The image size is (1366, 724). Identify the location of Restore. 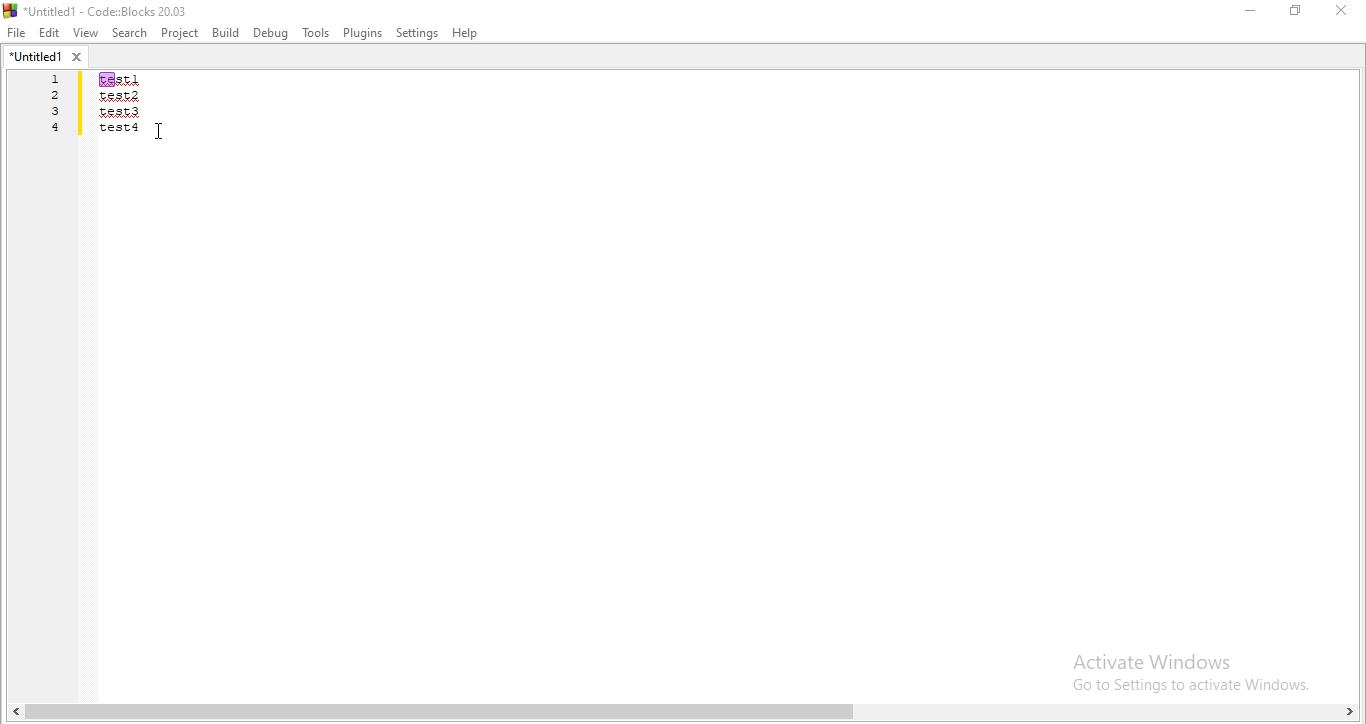
(1294, 13).